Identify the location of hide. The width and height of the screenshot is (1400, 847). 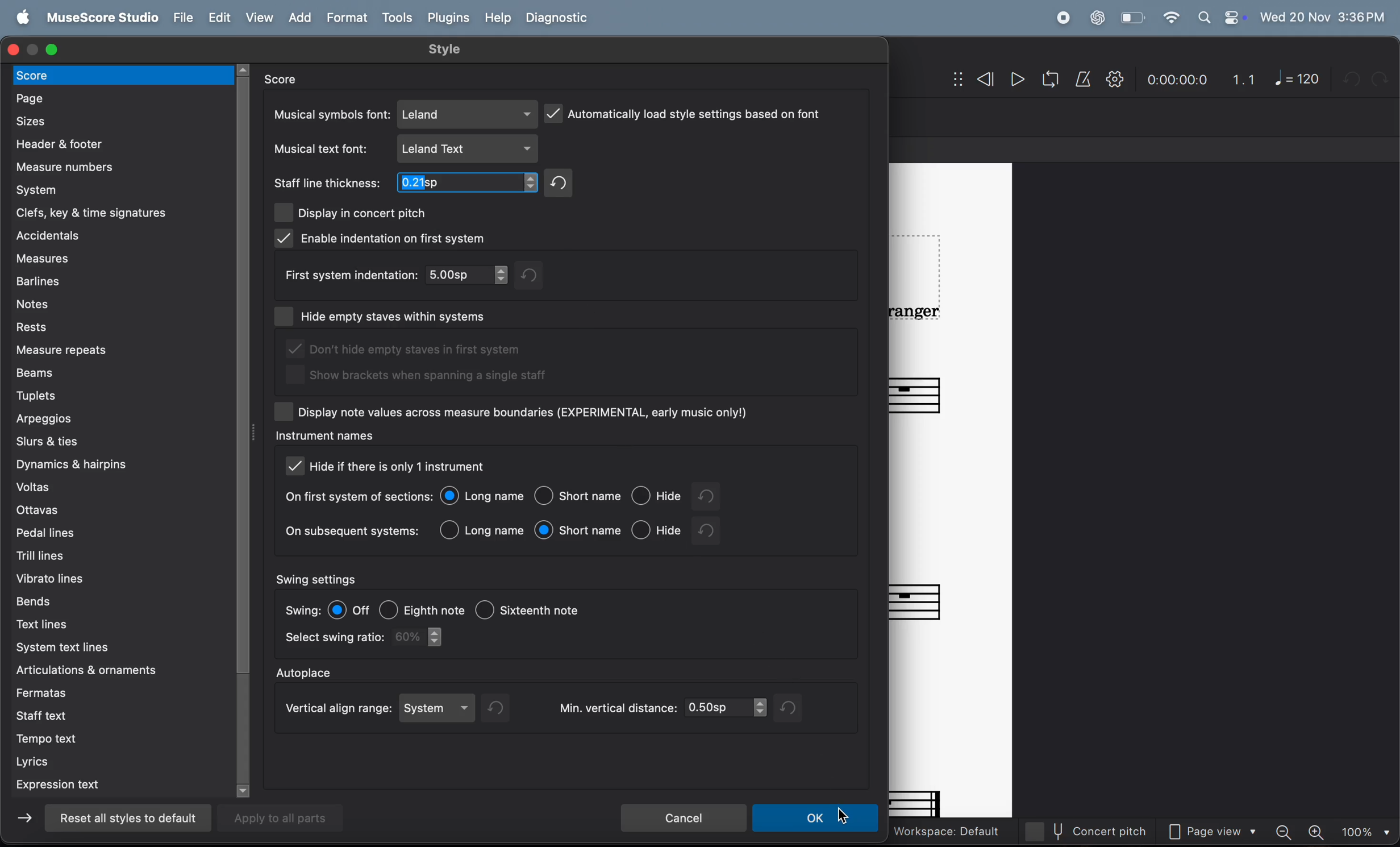
(659, 497).